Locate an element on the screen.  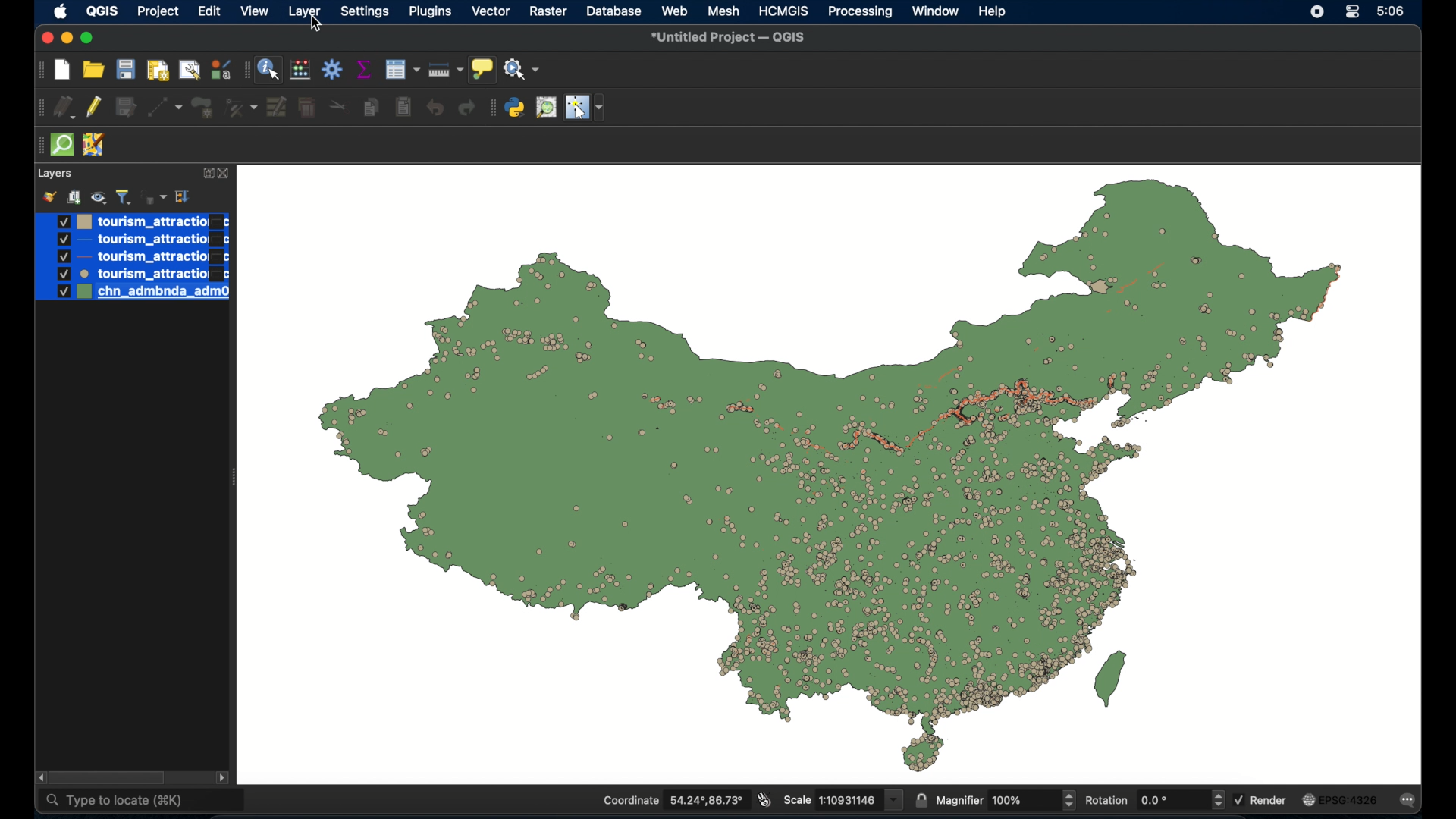
view is located at coordinates (256, 12).